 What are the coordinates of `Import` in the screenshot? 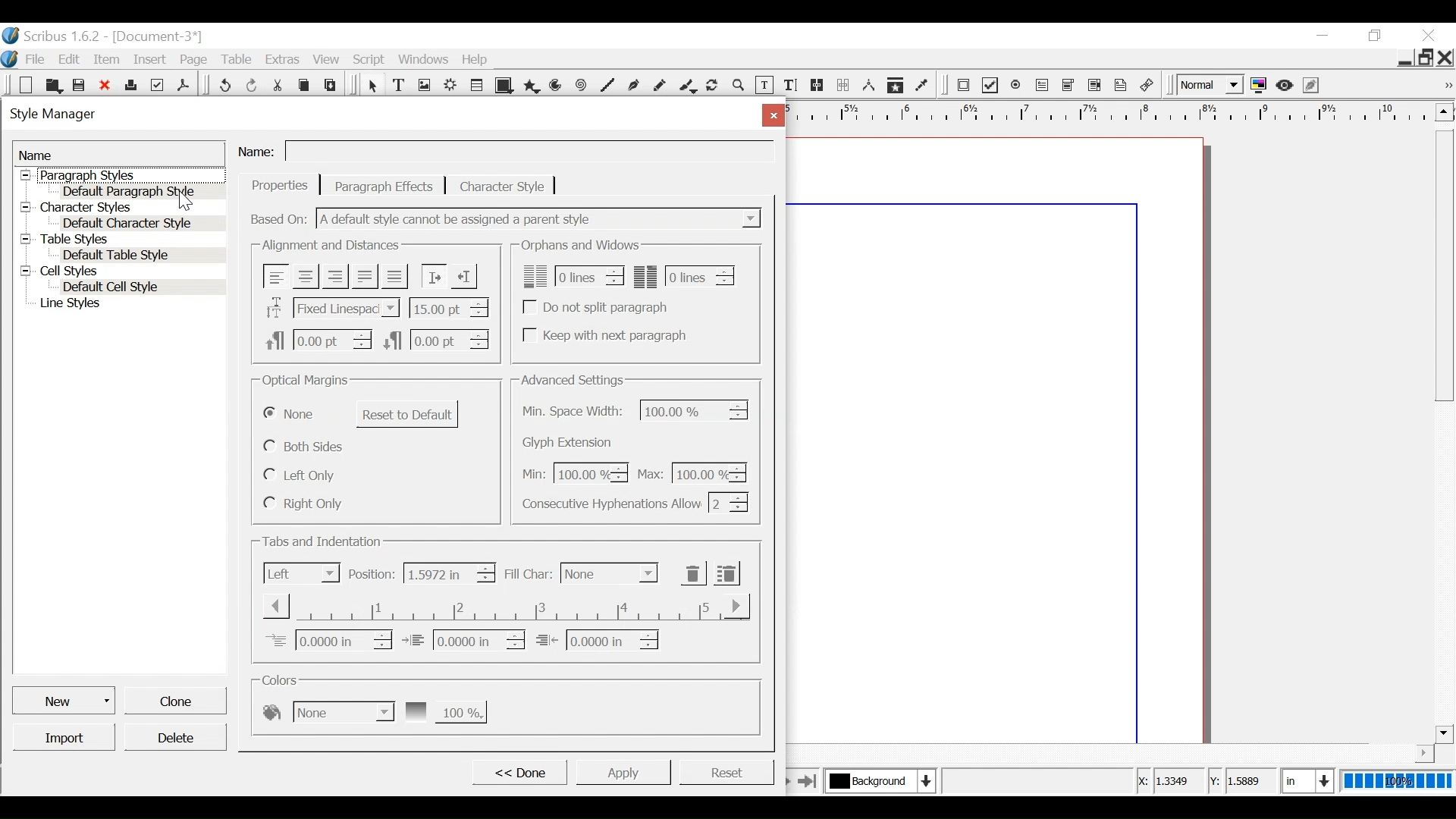 It's located at (65, 737).